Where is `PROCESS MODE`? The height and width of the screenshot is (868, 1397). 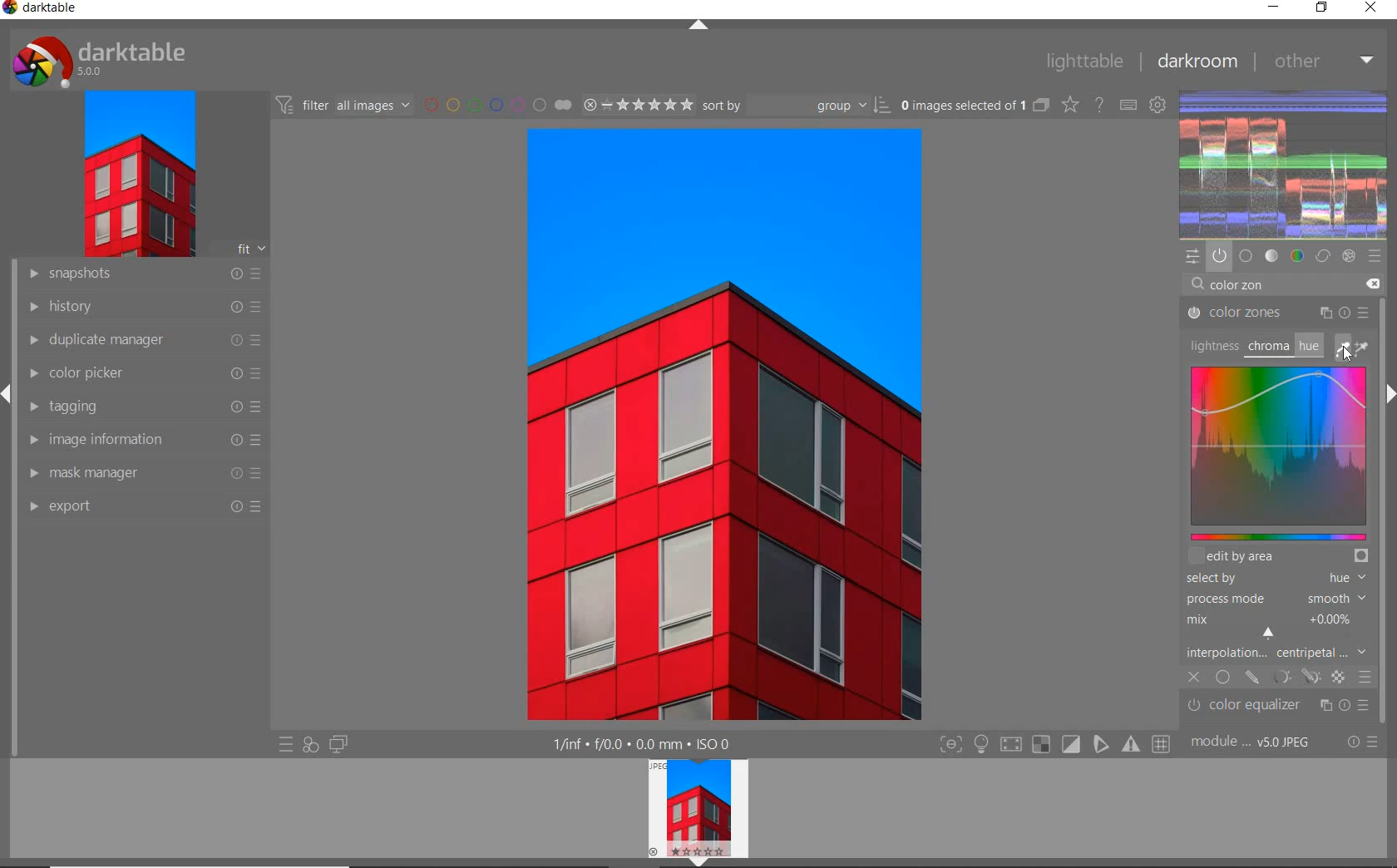
PROCESS MODE is located at coordinates (1274, 598).